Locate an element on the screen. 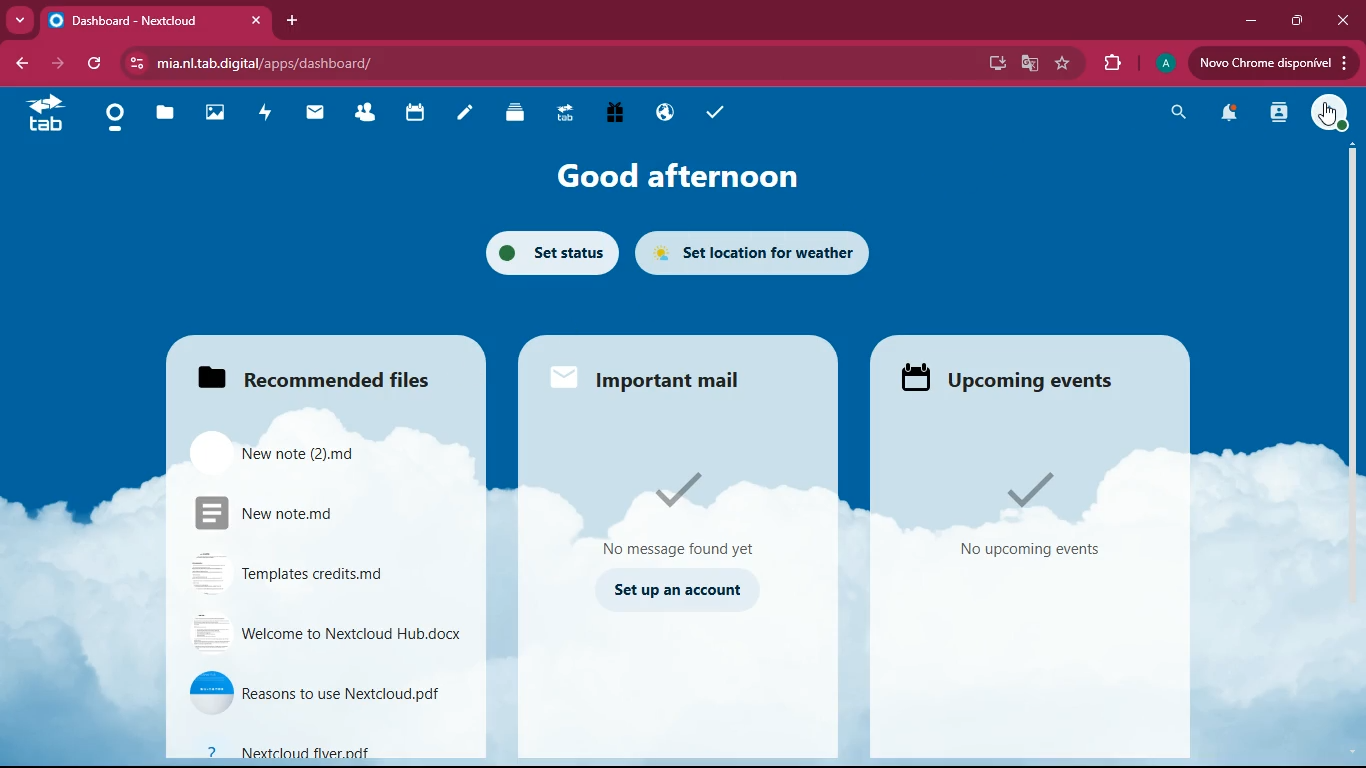  refresh is located at coordinates (94, 64).